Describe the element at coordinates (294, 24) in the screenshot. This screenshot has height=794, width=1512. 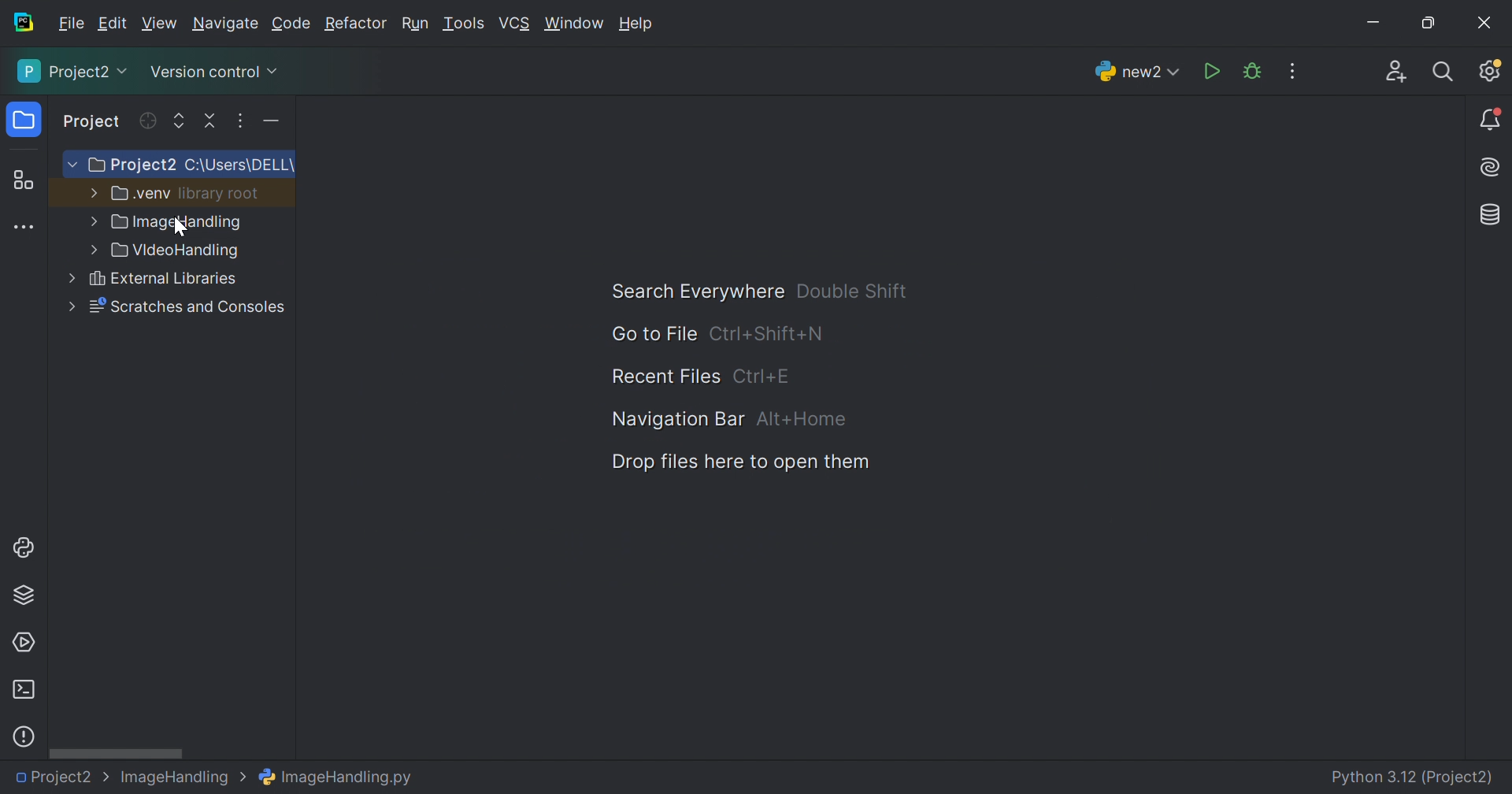
I see `Code` at that location.